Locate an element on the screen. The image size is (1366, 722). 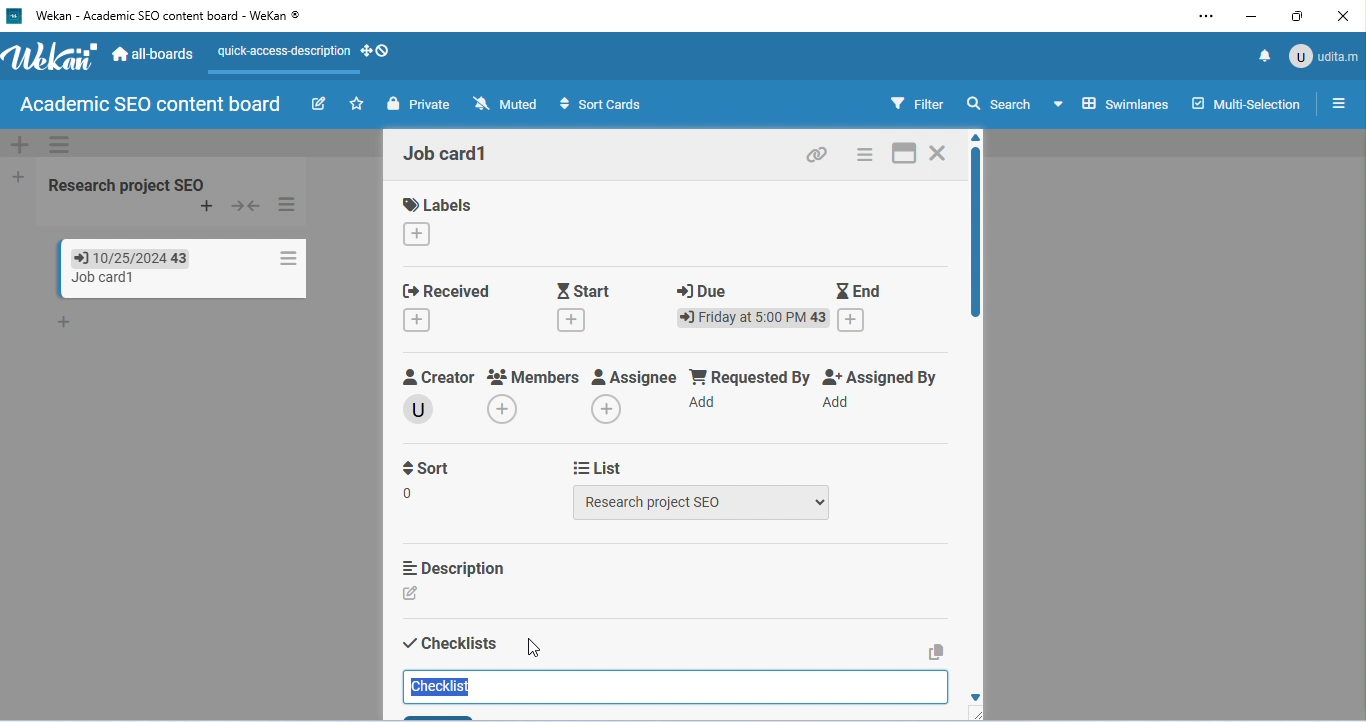
default is located at coordinates (678, 143).